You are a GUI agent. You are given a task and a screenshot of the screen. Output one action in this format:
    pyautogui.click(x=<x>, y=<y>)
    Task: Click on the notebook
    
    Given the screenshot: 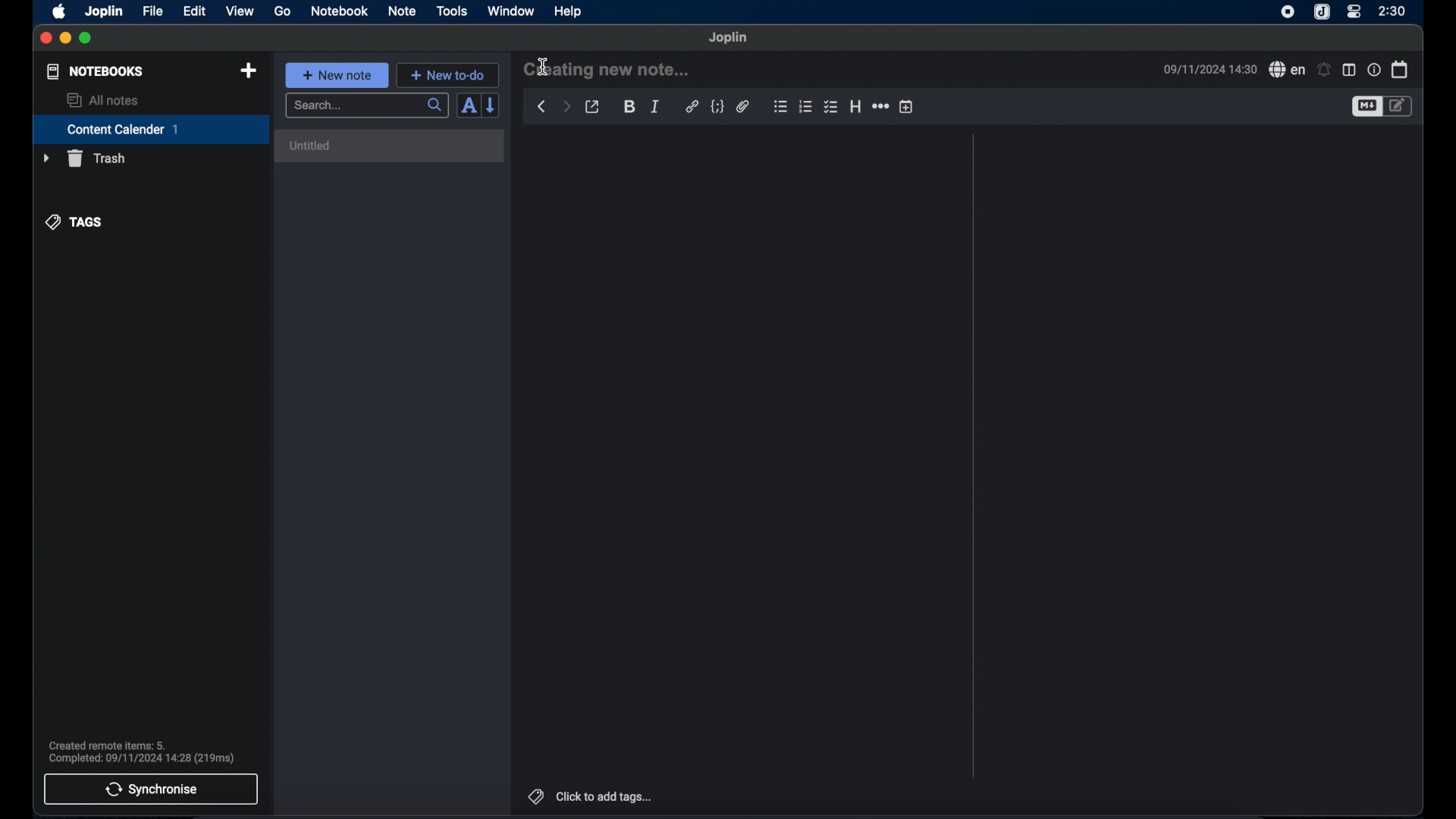 What is the action you would take?
    pyautogui.click(x=338, y=11)
    